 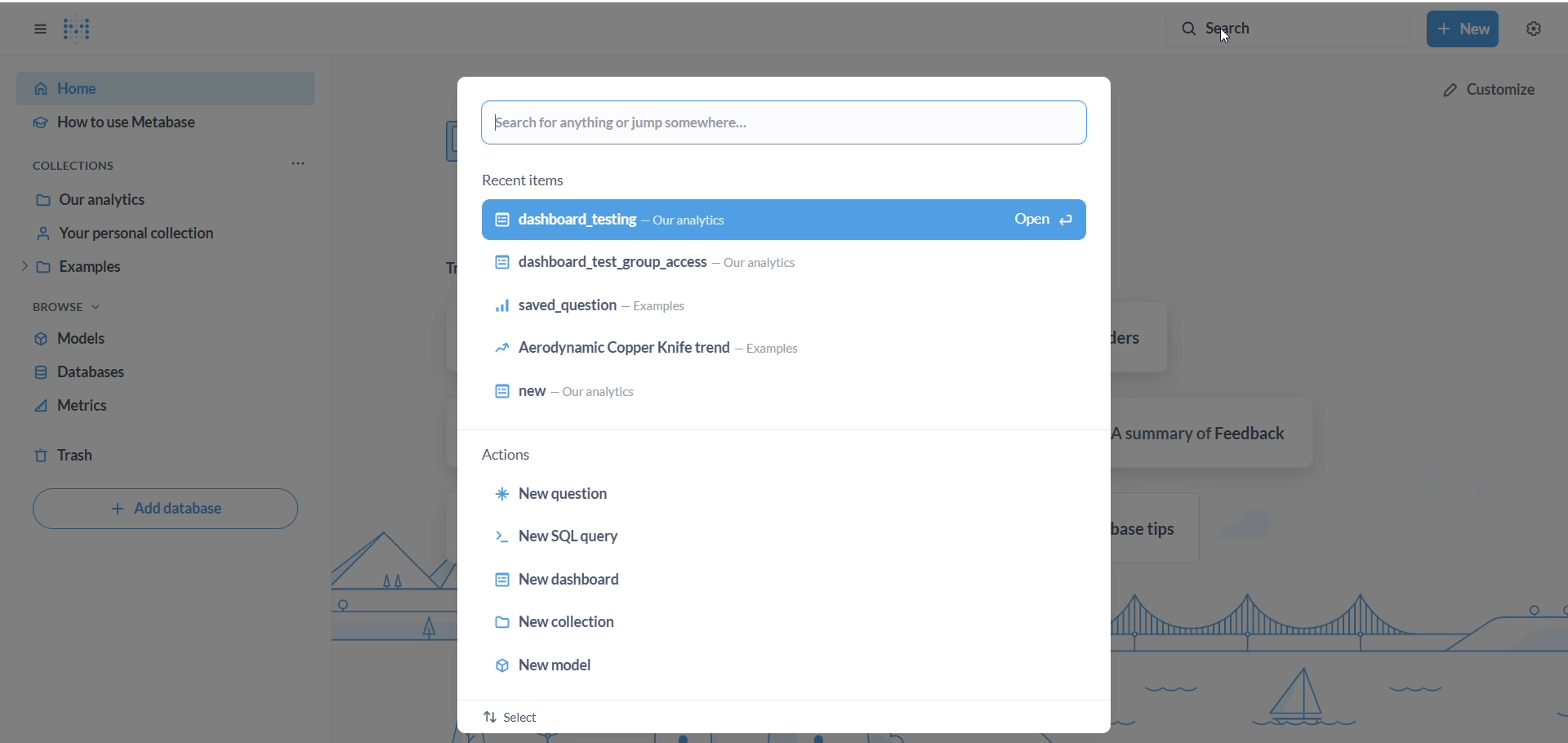 I want to click on databases, so click(x=138, y=371).